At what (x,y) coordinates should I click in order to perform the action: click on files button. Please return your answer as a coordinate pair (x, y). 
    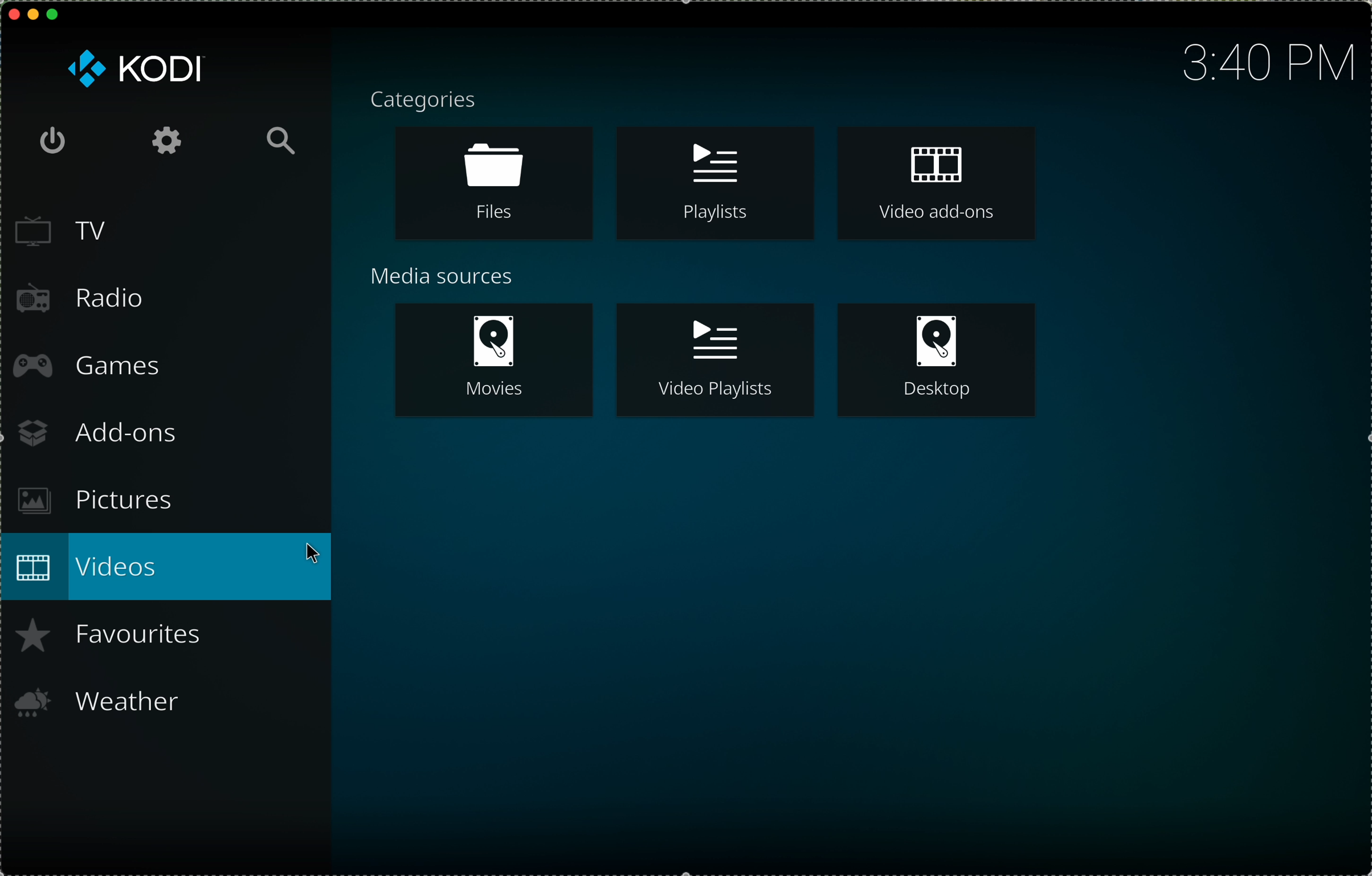
    Looking at the image, I should click on (491, 183).